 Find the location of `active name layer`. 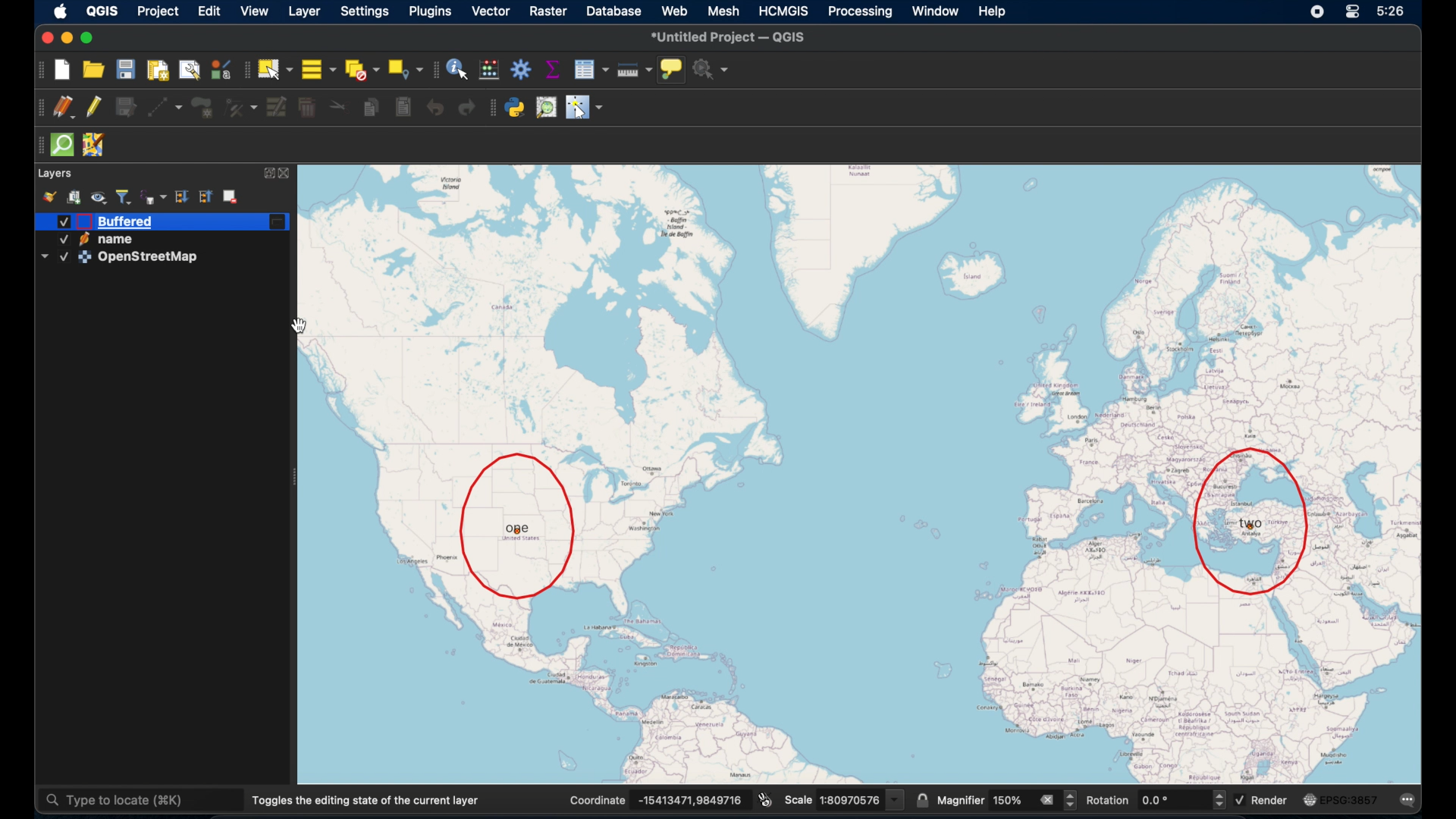

active name layer is located at coordinates (93, 239).